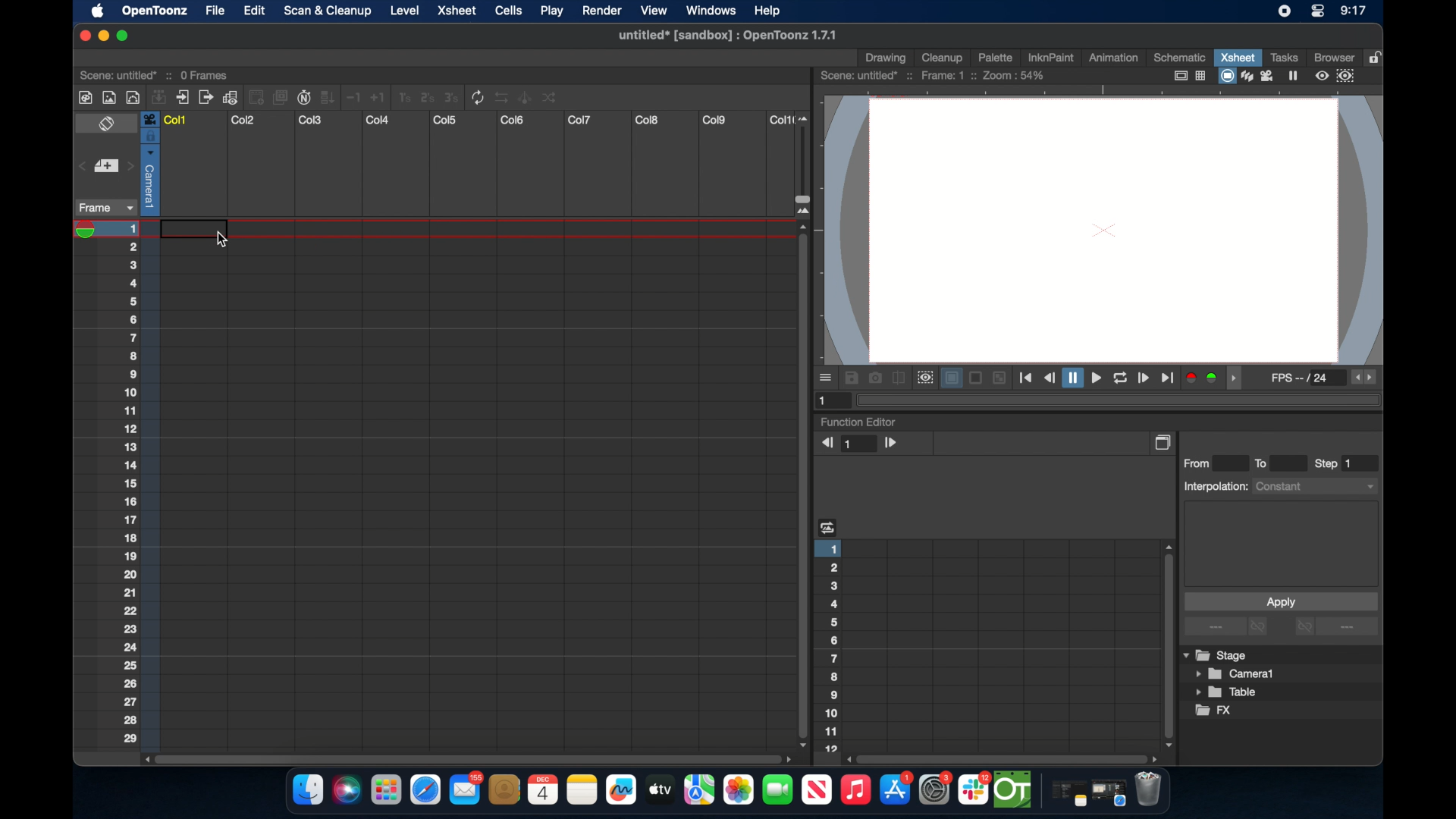 This screenshot has height=819, width=1456. Describe the element at coordinates (406, 10) in the screenshot. I see `level` at that location.